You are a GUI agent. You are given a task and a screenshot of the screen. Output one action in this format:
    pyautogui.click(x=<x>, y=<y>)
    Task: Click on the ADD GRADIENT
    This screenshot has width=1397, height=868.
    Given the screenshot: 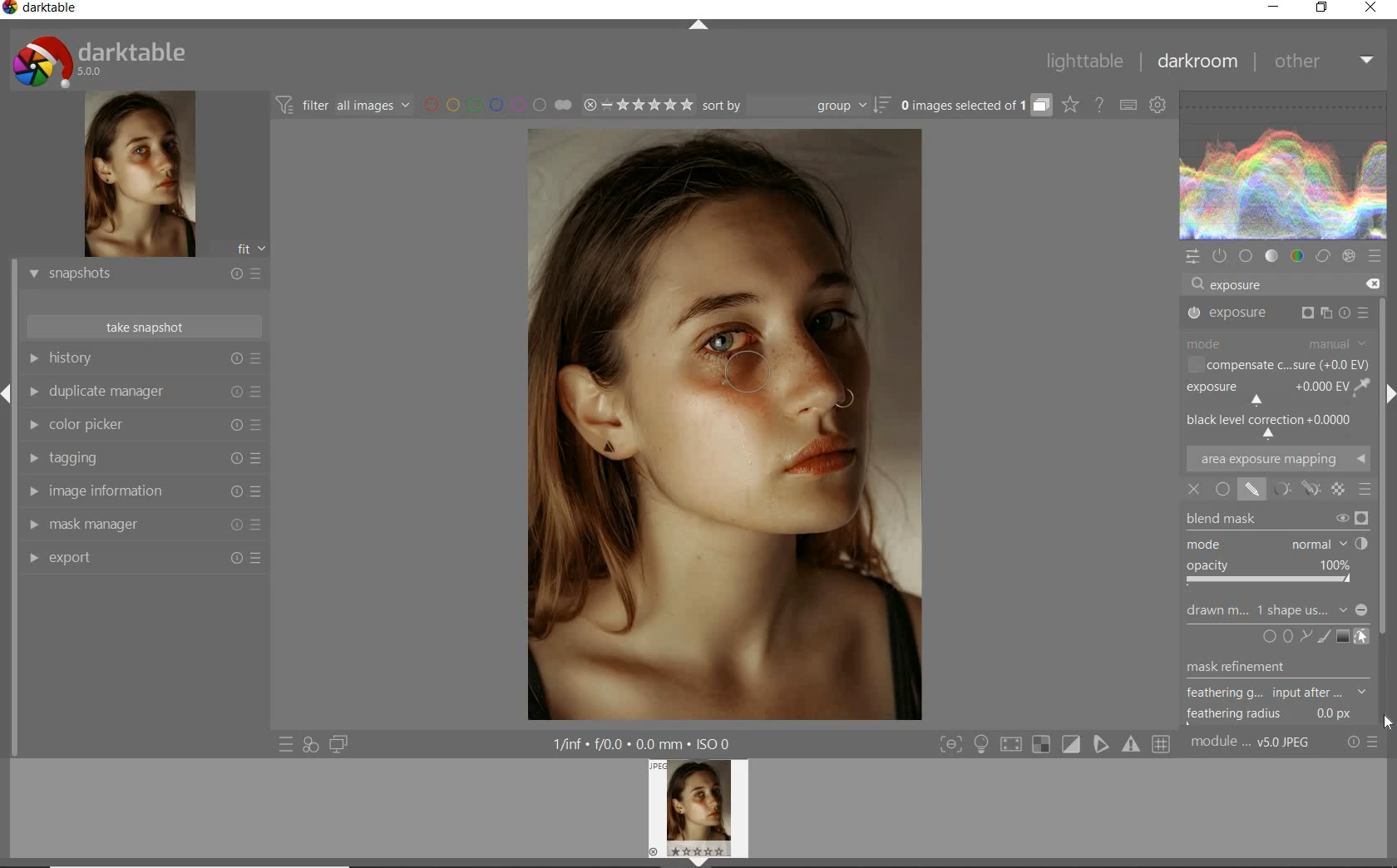 What is the action you would take?
    pyautogui.click(x=1342, y=635)
    